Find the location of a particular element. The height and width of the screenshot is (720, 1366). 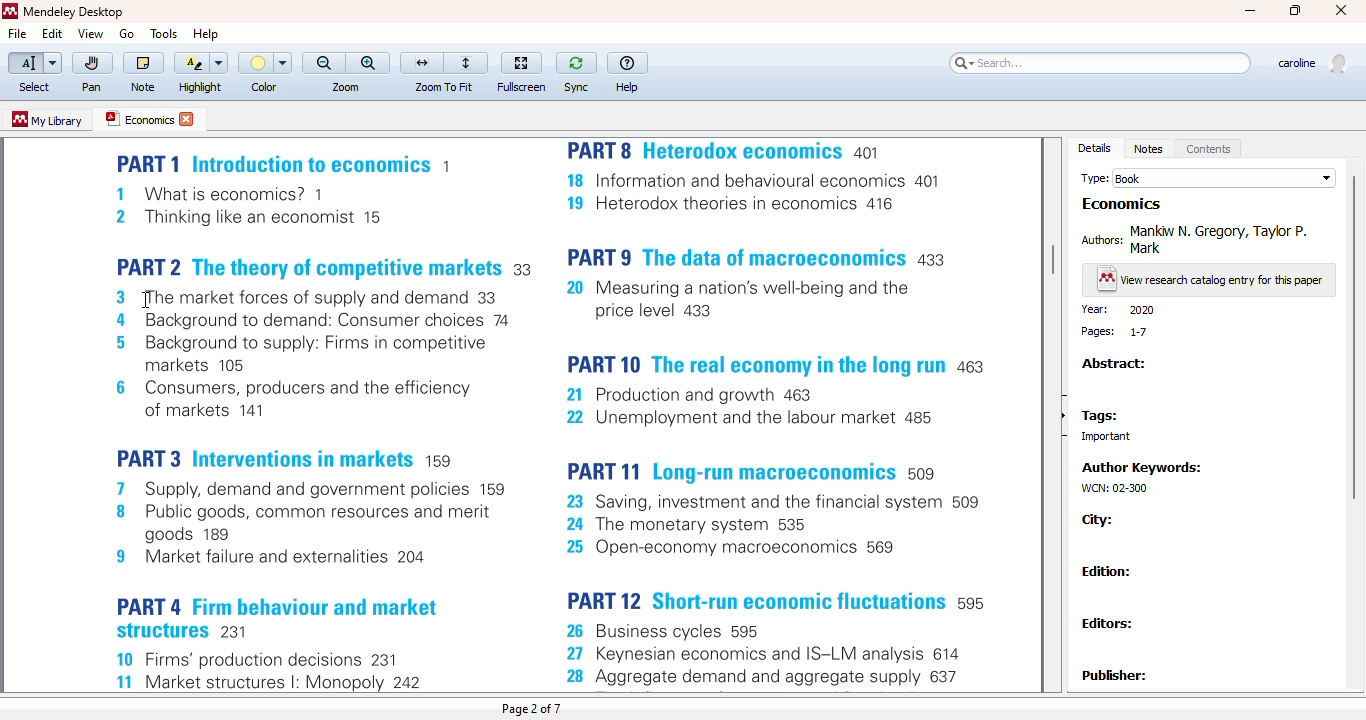

contents is located at coordinates (1209, 149).